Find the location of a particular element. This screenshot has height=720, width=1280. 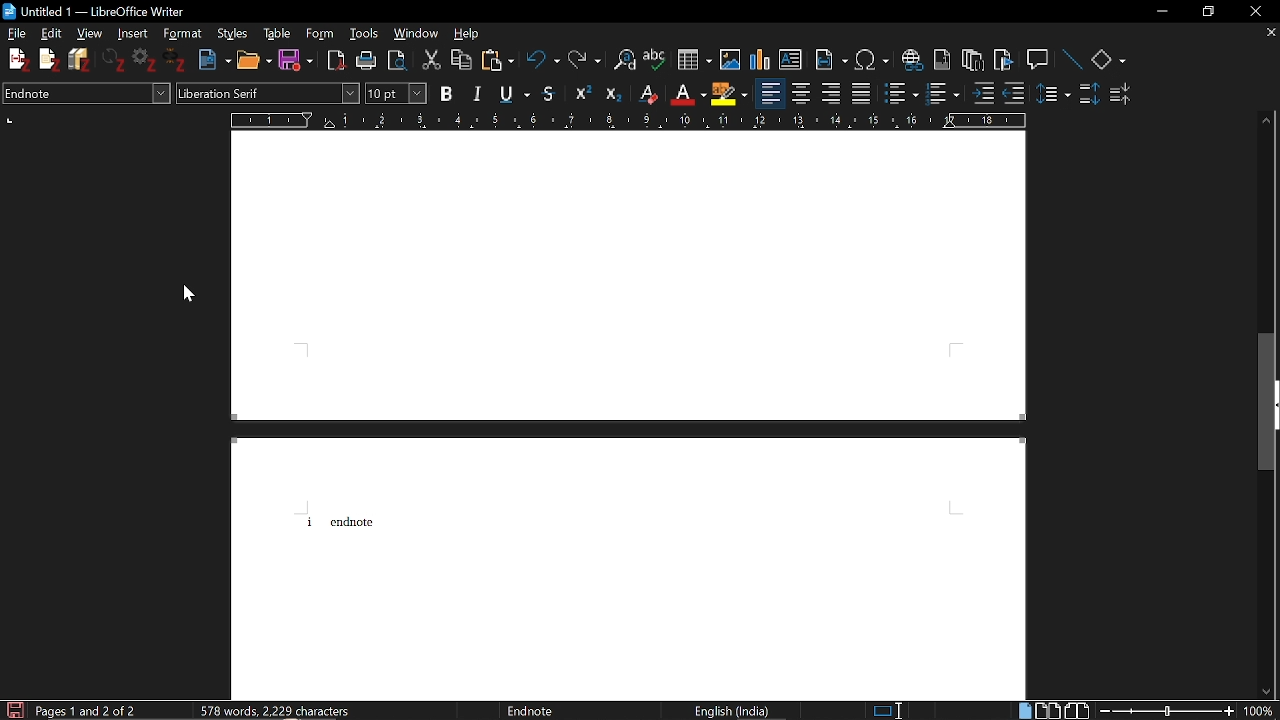

Vertical scrollbar is located at coordinates (1268, 411).